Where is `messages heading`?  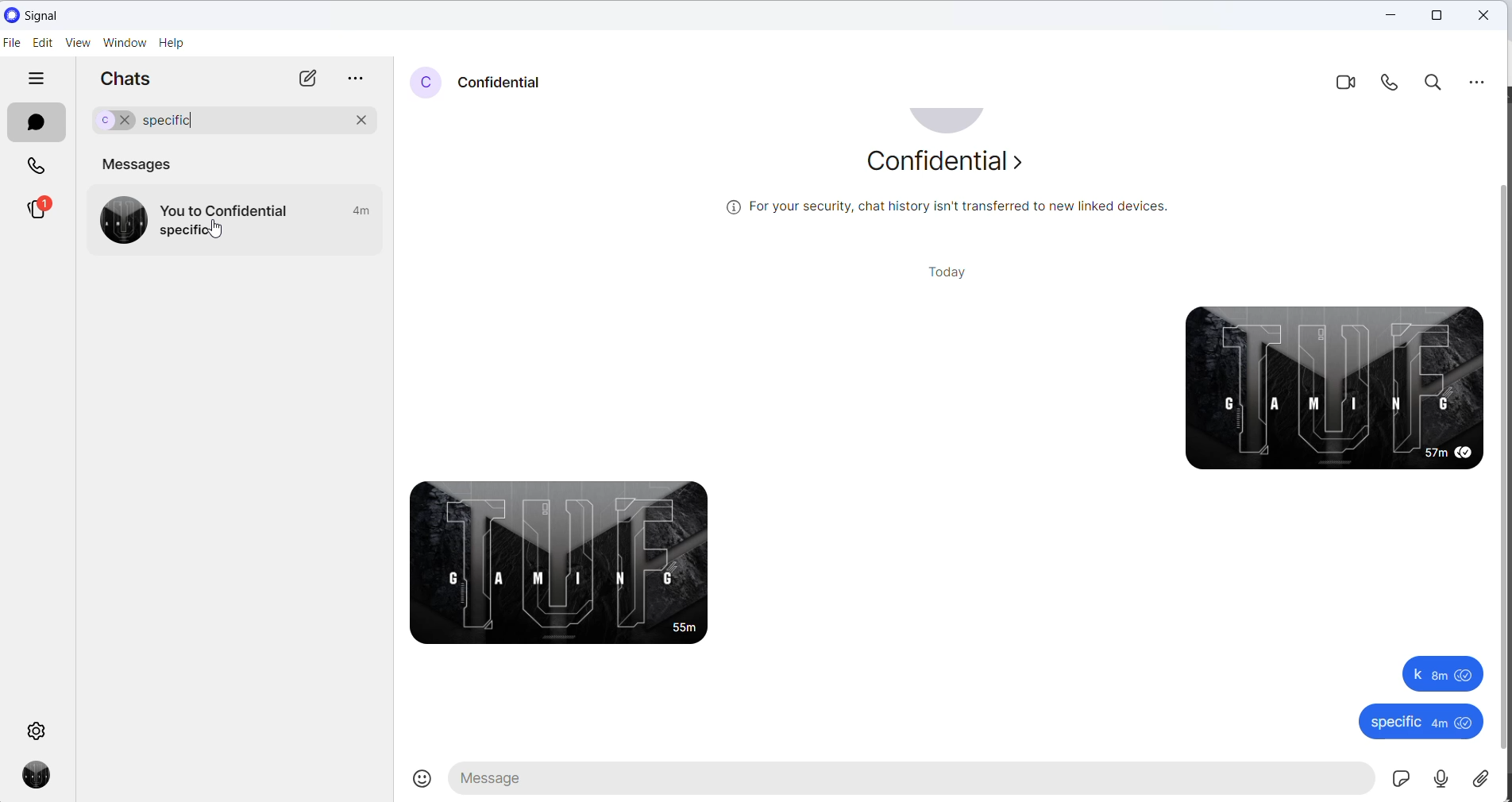
messages heading is located at coordinates (141, 164).